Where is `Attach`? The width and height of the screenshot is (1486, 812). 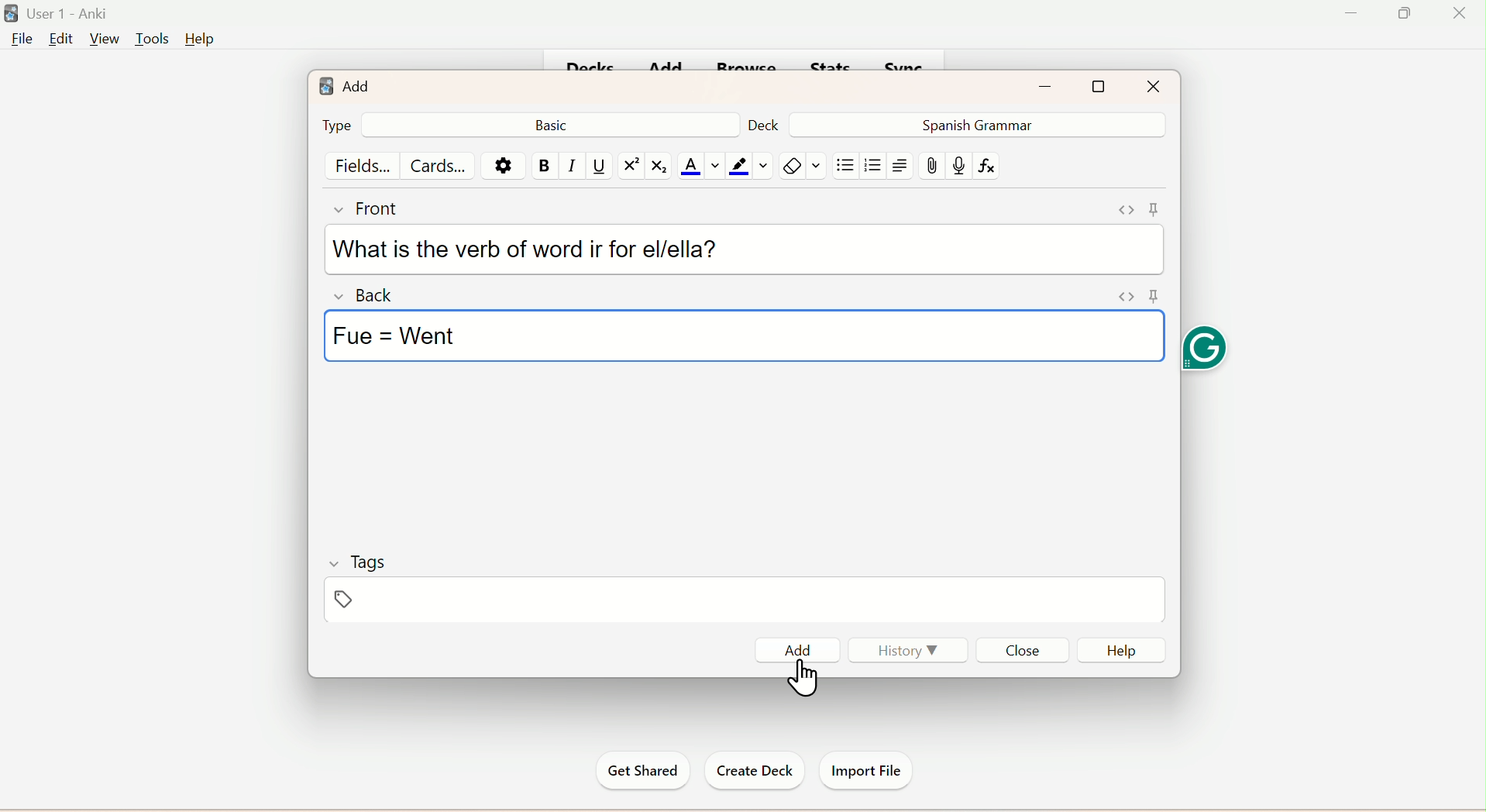
Attach is located at coordinates (934, 167).